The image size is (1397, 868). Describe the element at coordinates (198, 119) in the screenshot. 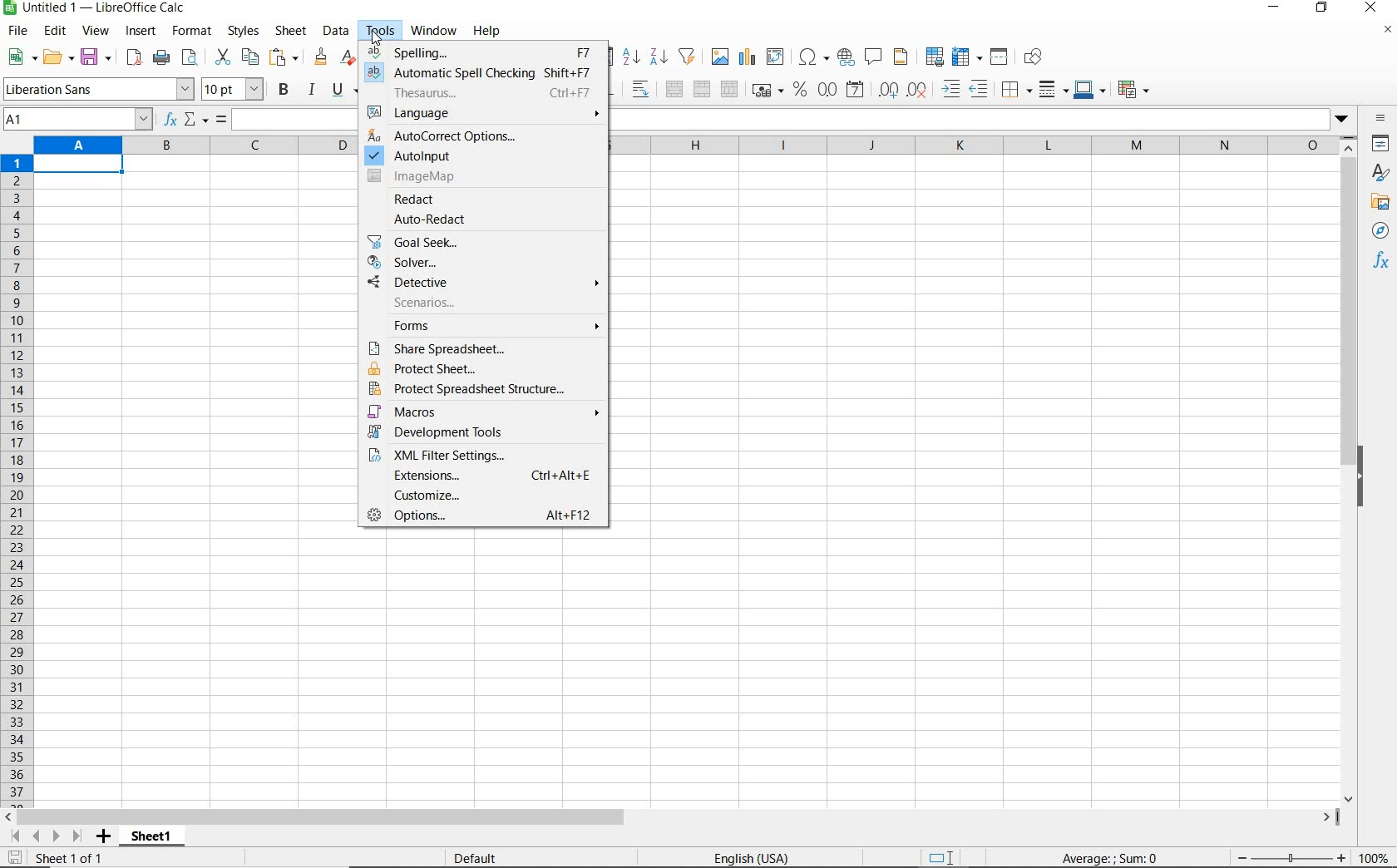

I see `SELECT FUNCTION` at that location.